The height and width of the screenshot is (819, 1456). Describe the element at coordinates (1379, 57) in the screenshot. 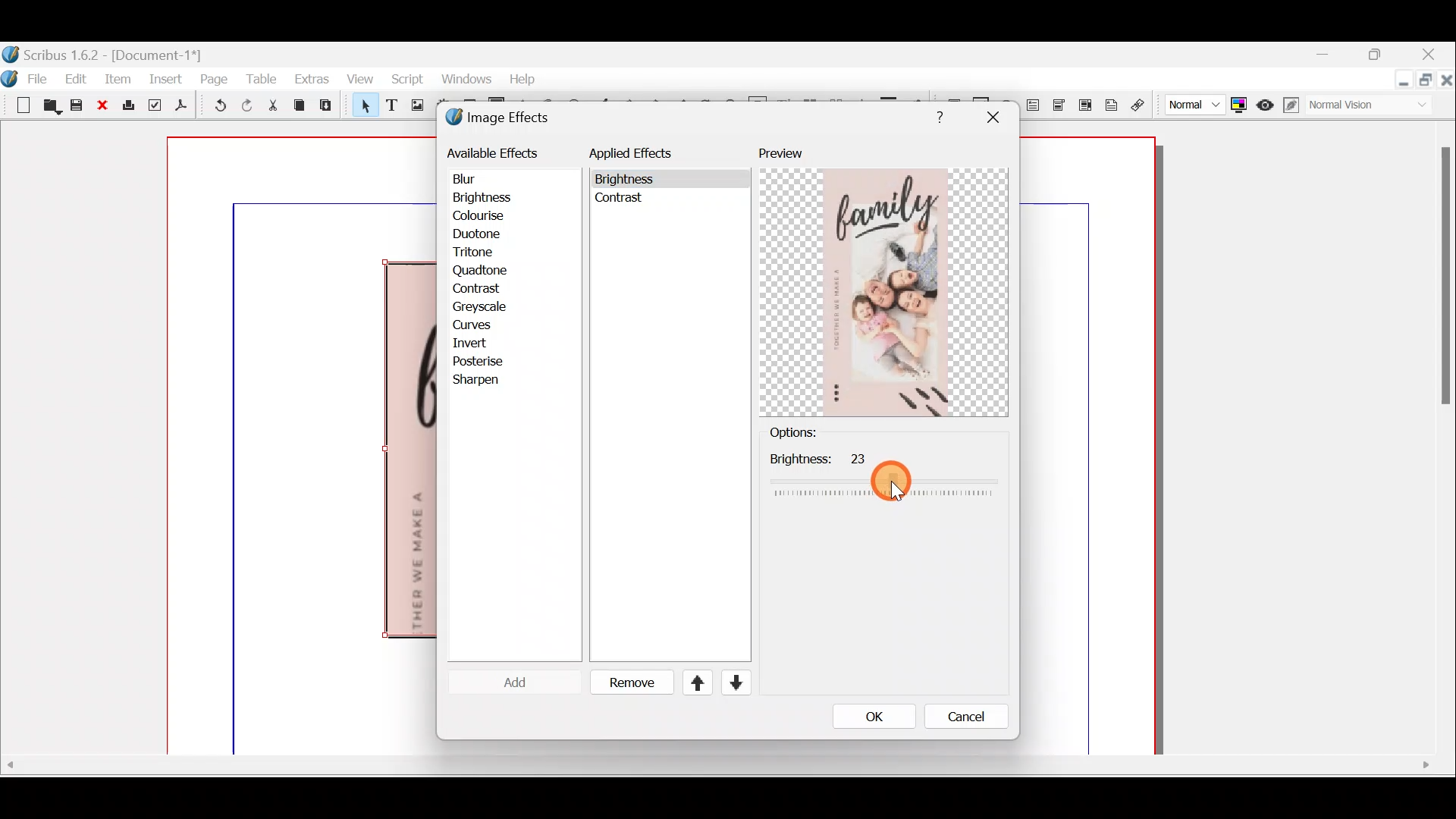

I see `maximise` at that location.